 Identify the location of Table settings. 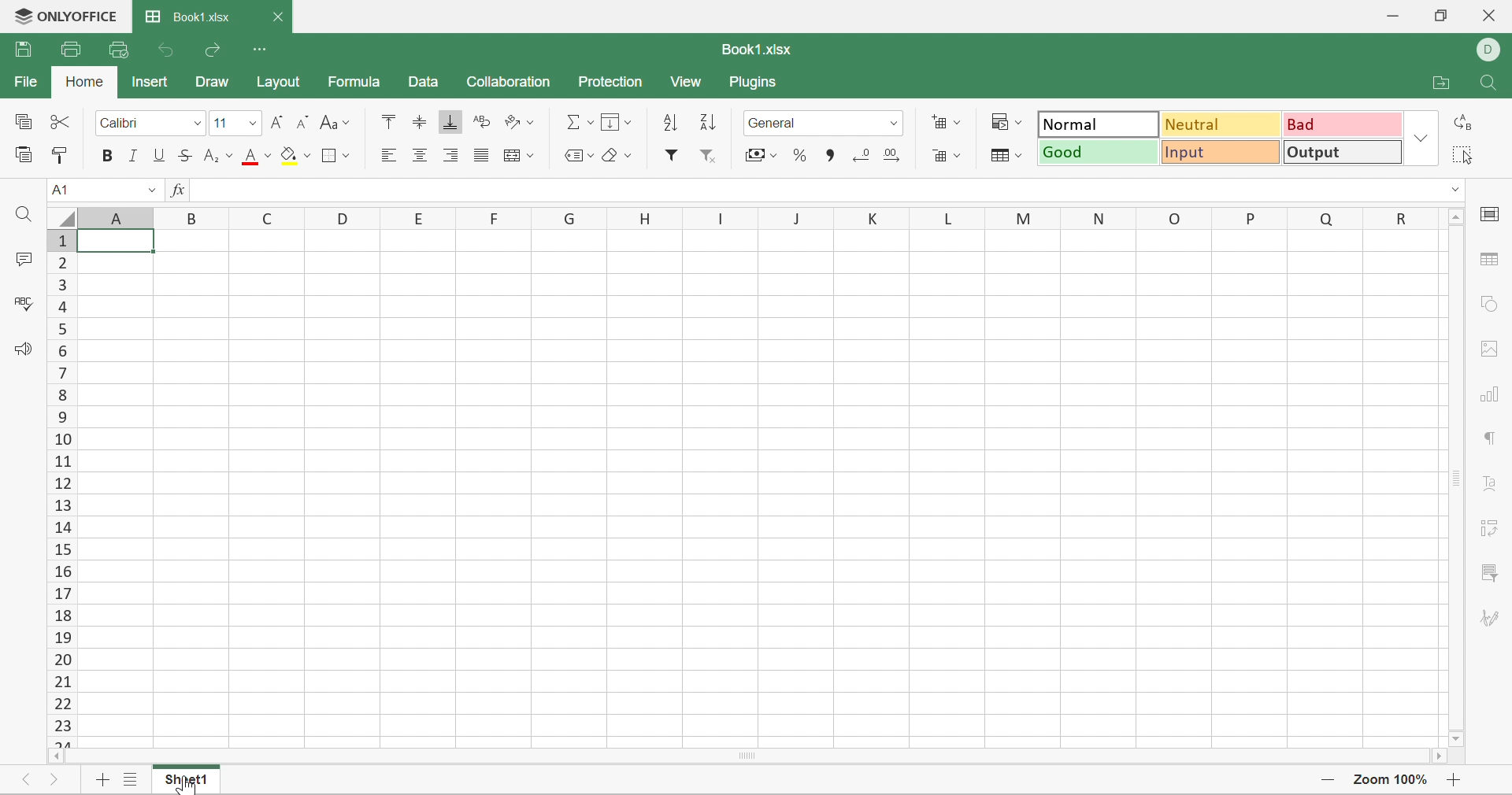
(1493, 261).